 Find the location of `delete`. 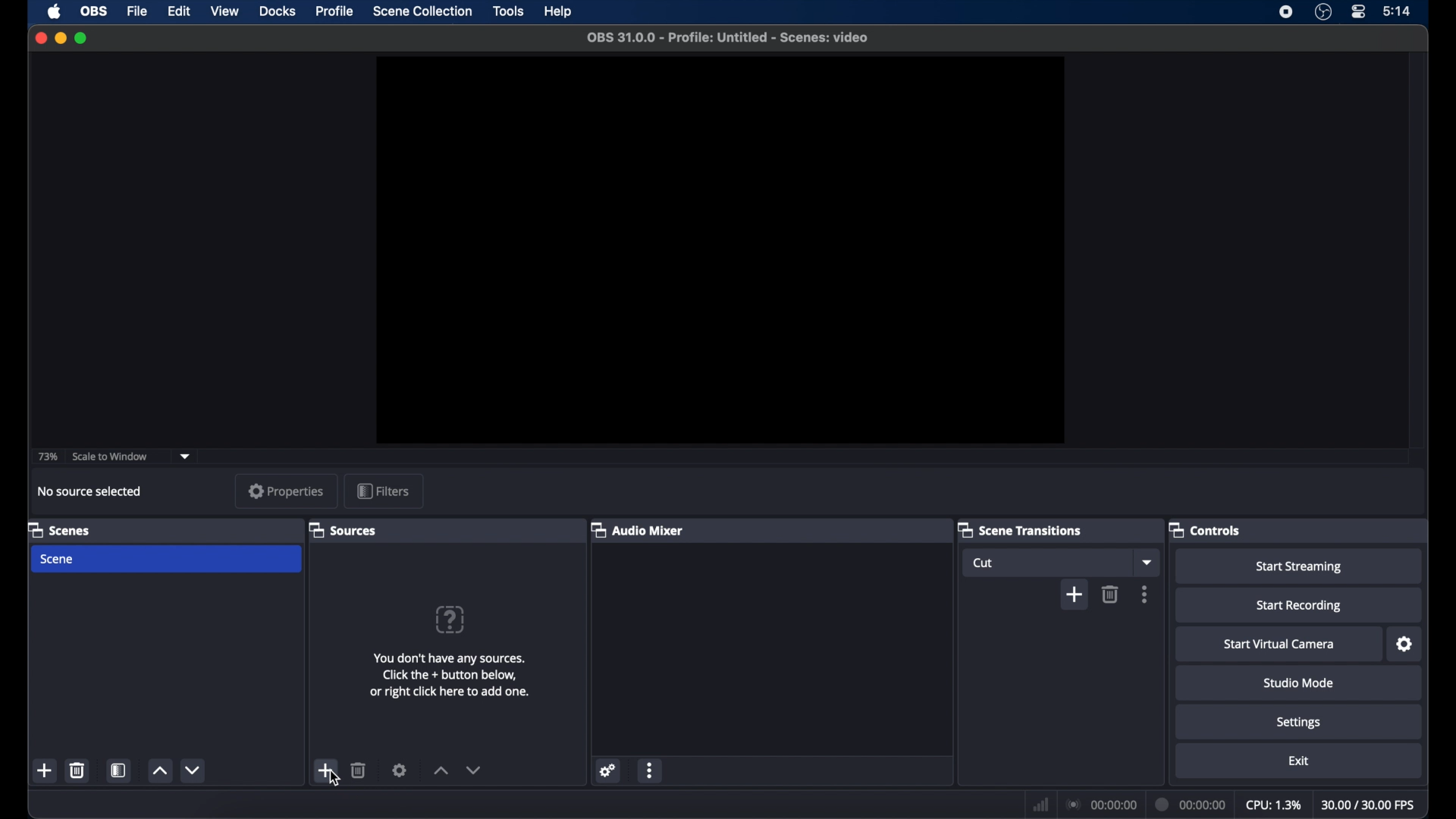

delete is located at coordinates (1110, 595).